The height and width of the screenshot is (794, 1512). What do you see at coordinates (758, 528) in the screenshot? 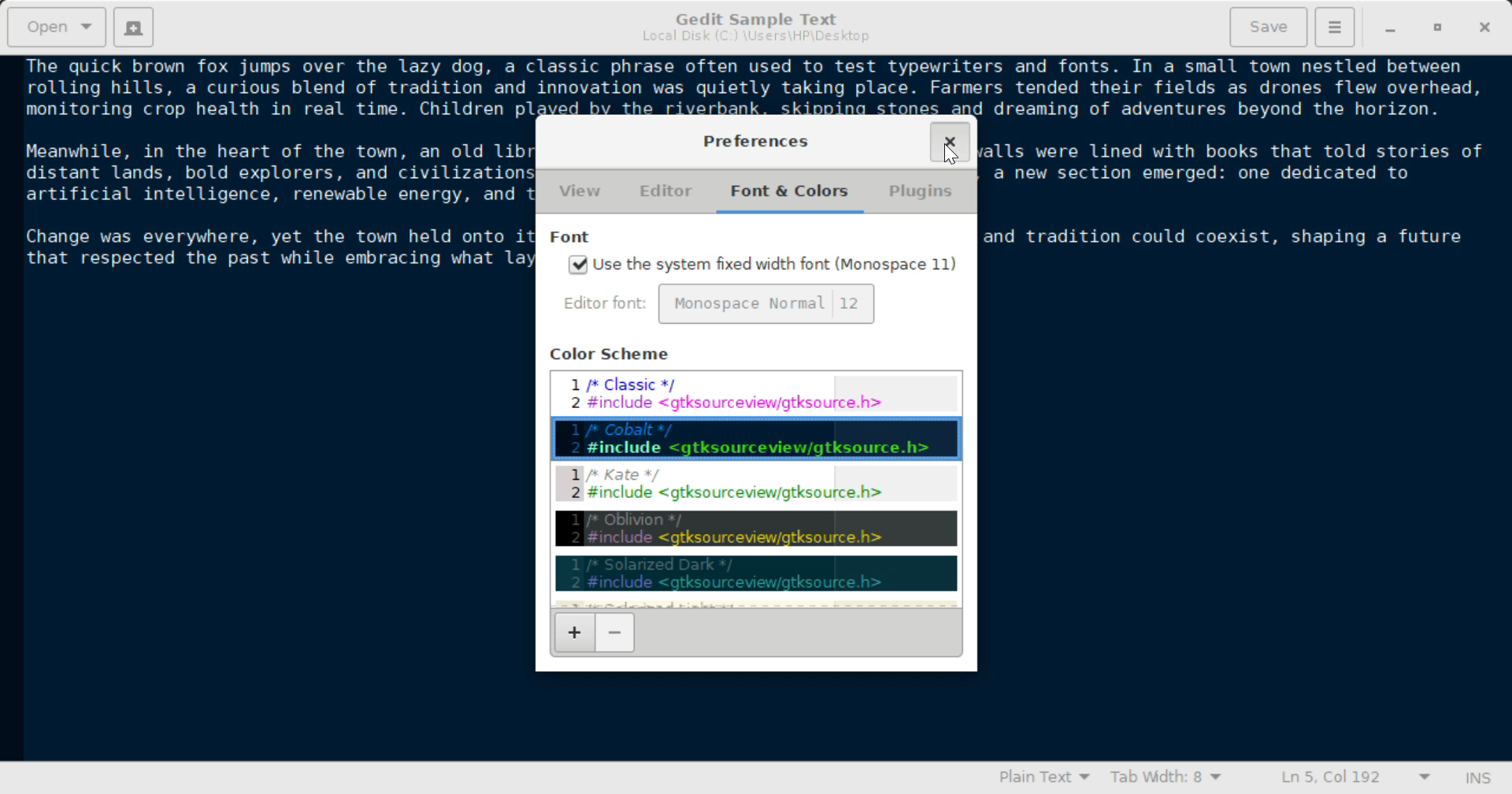
I see `Oblivion Scheme` at bounding box center [758, 528].